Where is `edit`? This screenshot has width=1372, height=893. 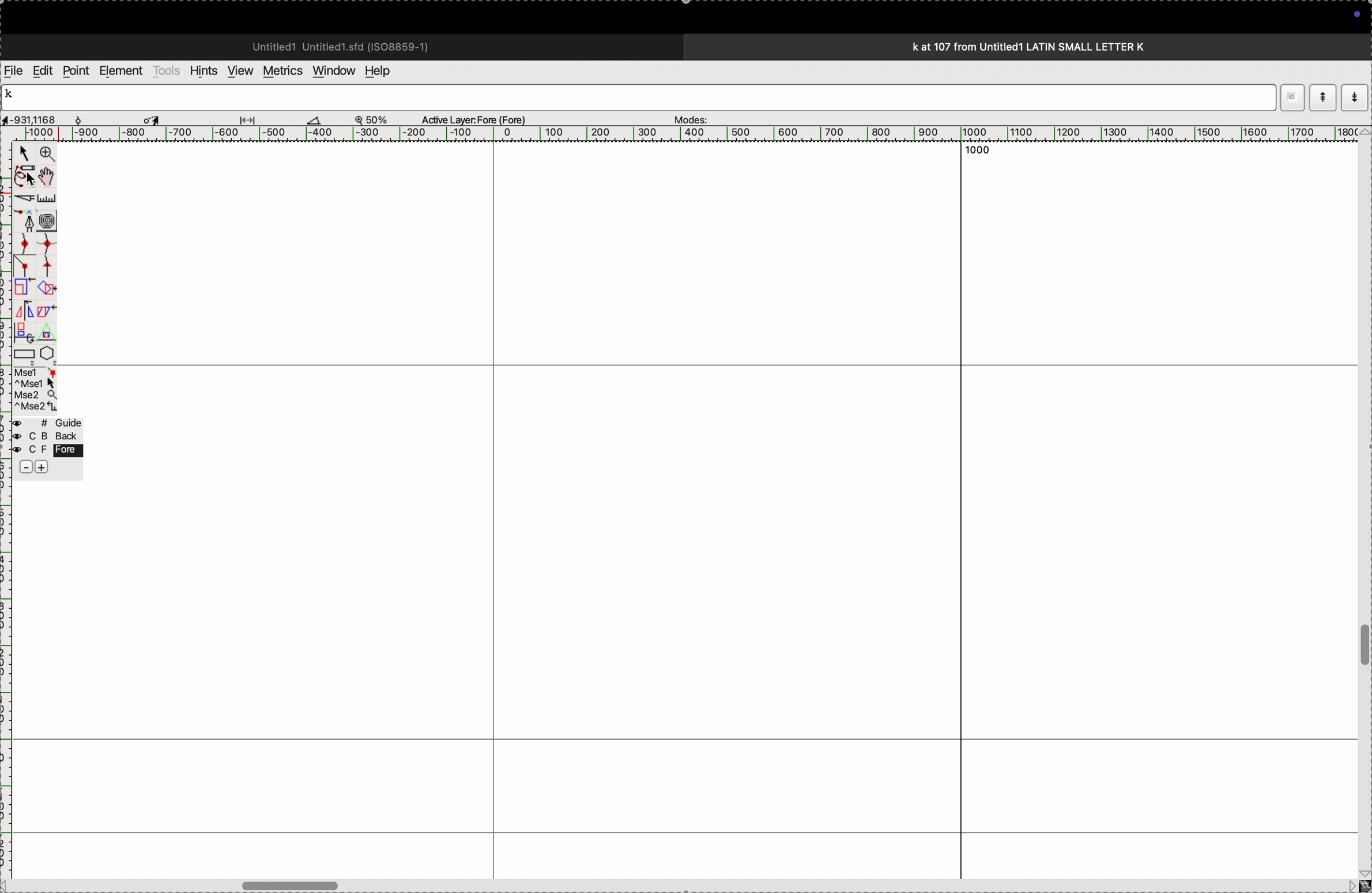
edit is located at coordinates (42, 70).